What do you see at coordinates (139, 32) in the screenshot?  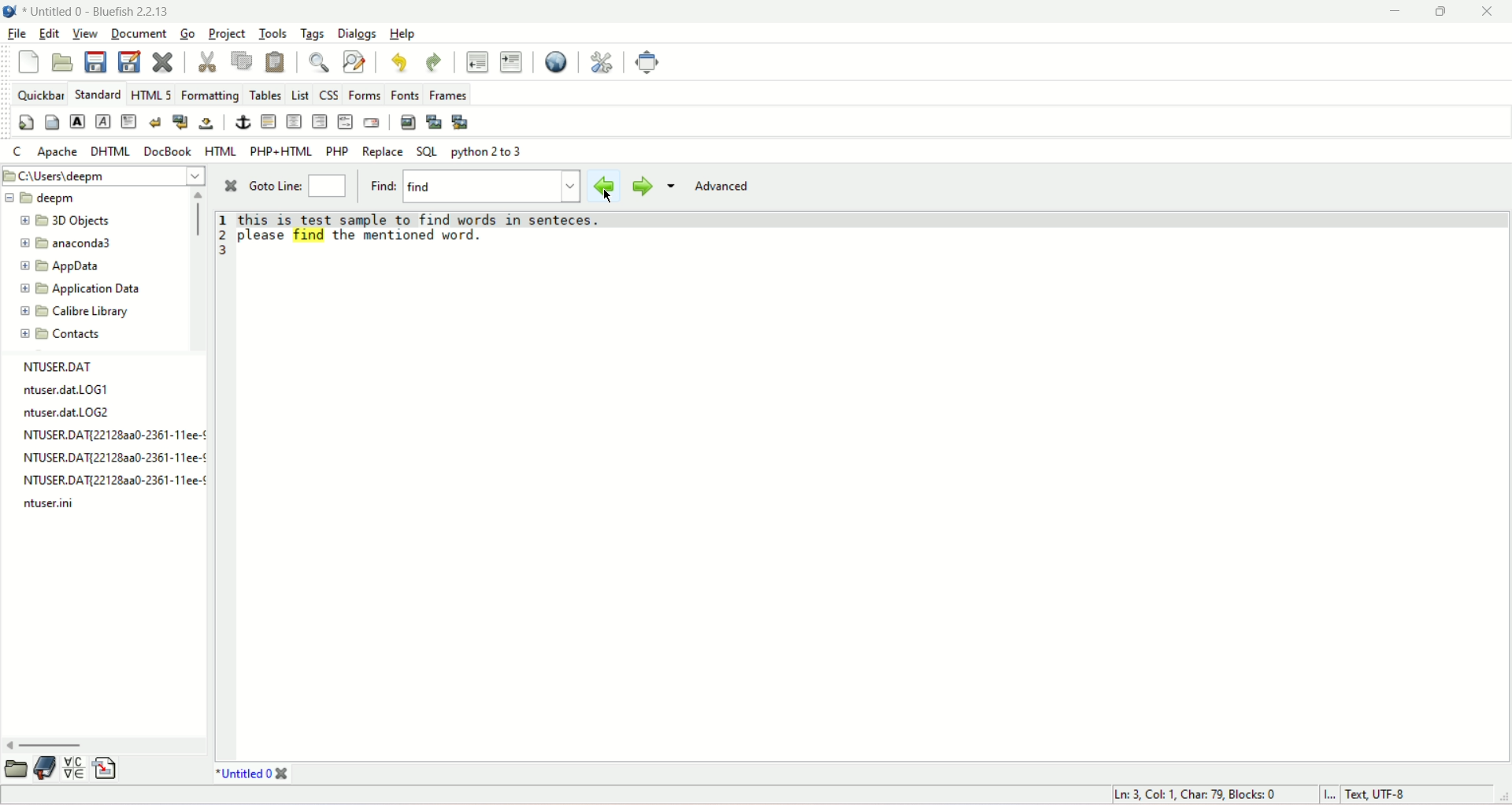 I see `document` at bounding box center [139, 32].